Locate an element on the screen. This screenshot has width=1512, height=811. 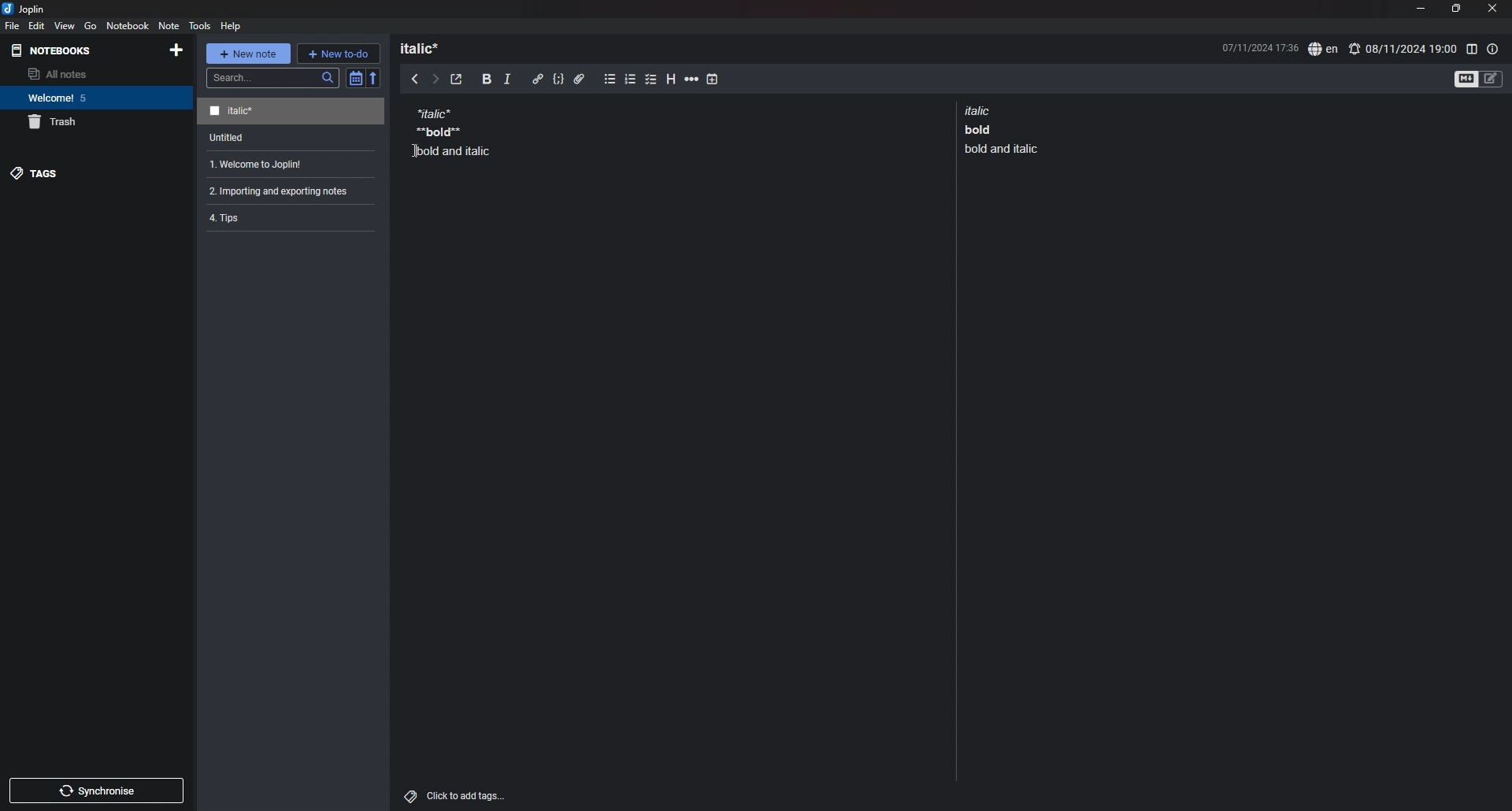
Cursor is located at coordinates (419, 149).